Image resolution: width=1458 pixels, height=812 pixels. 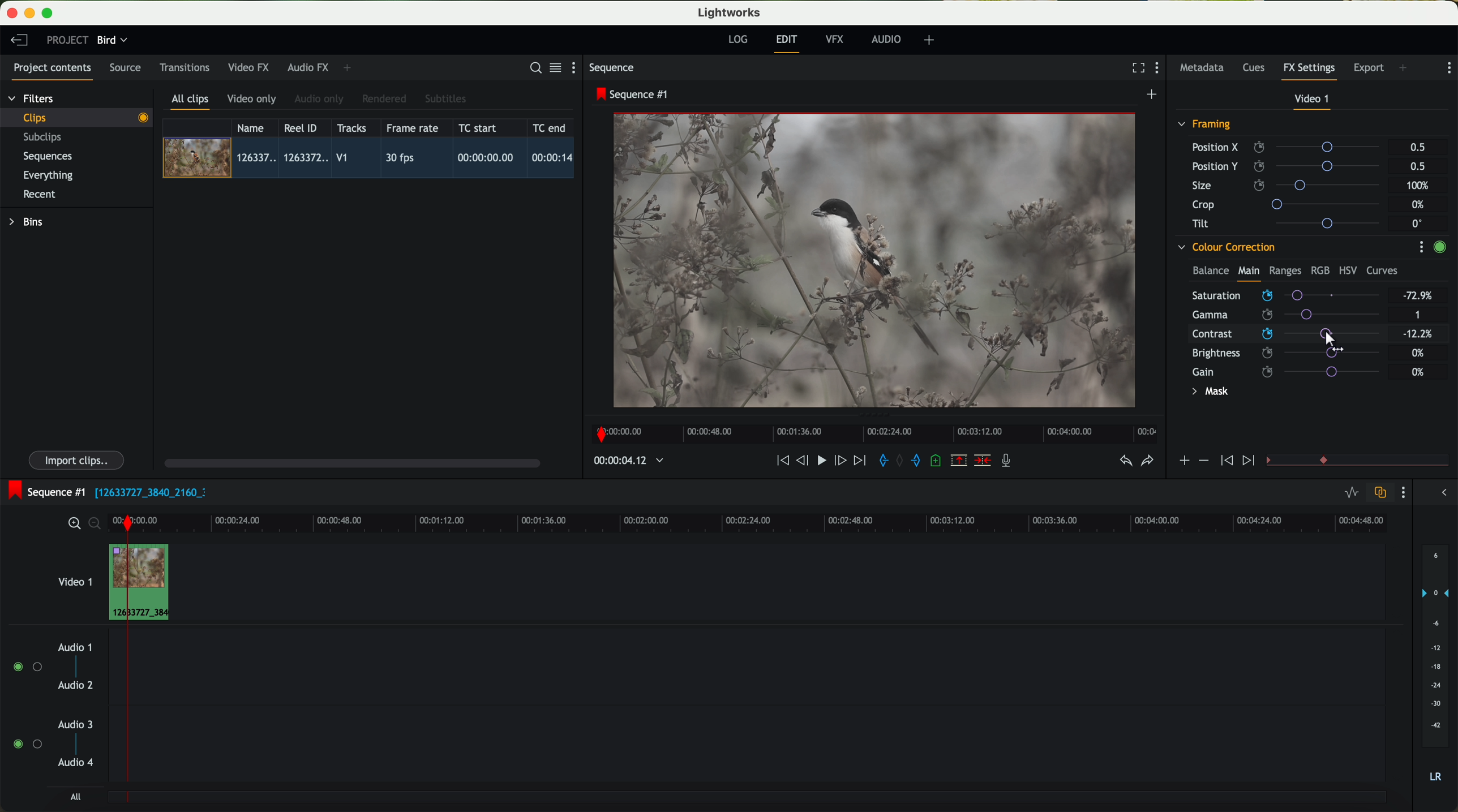 What do you see at coordinates (960, 461) in the screenshot?
I see `remove the marked section` at bounding box center [960, 461].